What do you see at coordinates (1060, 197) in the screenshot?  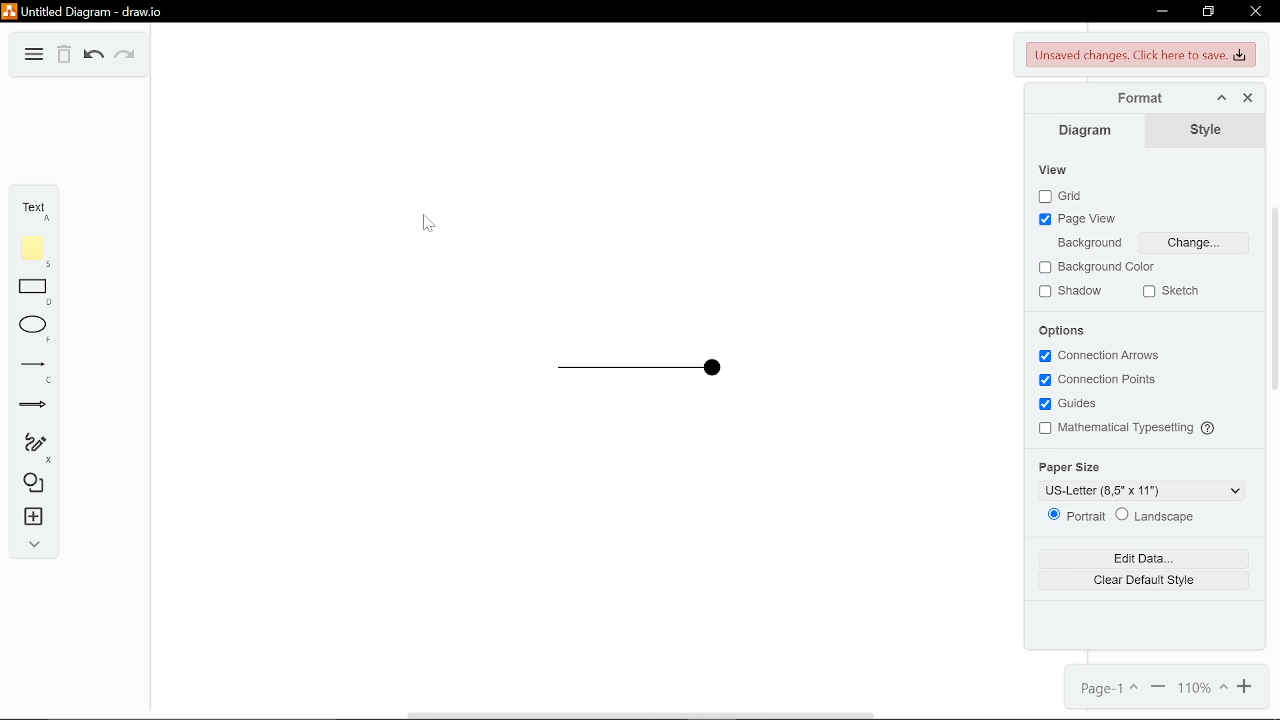 I see `Grid` at bounding box center [1060, 197].